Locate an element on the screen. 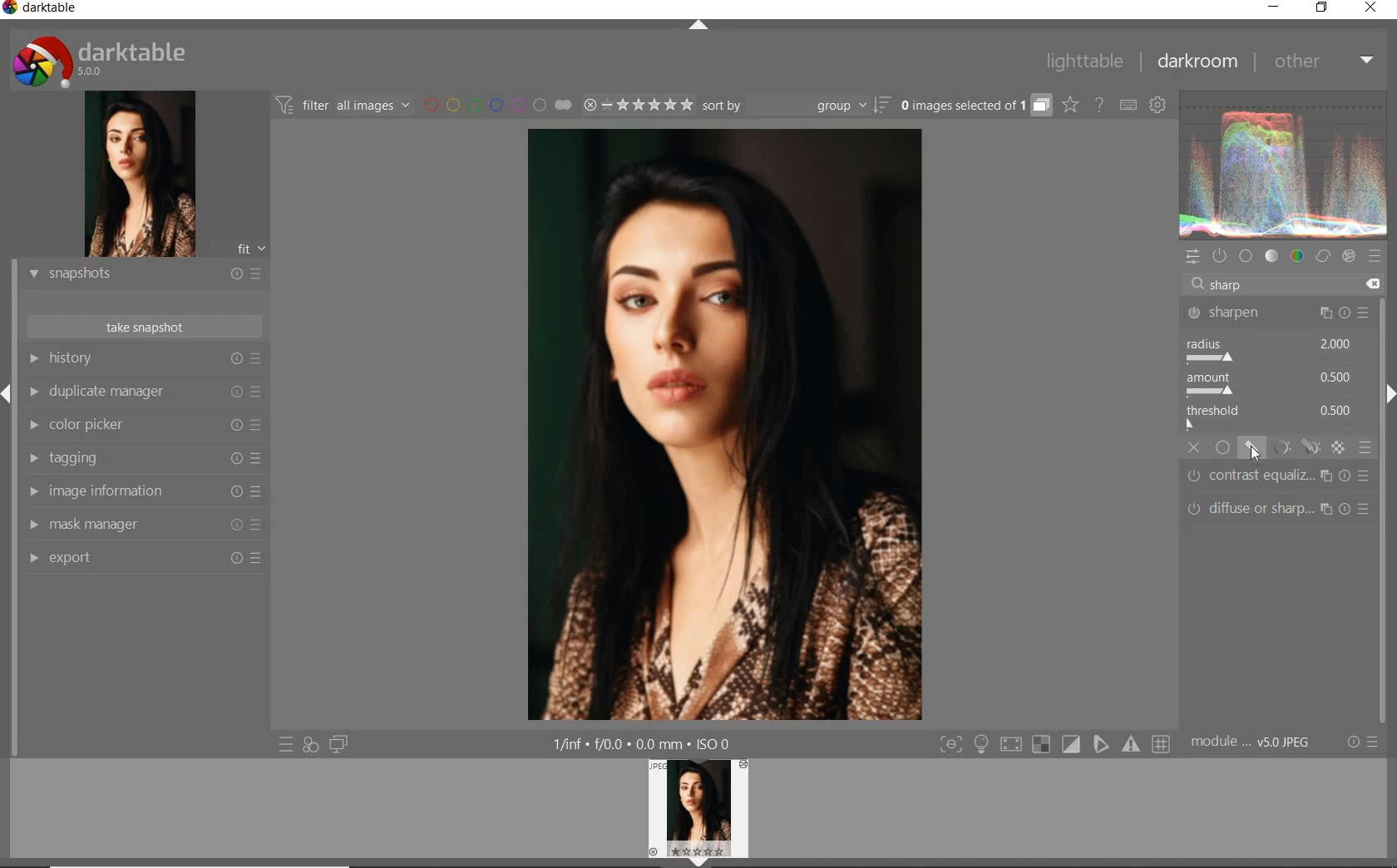 The image size is (1397, 868). presets is located at coordinates (1377, 258).